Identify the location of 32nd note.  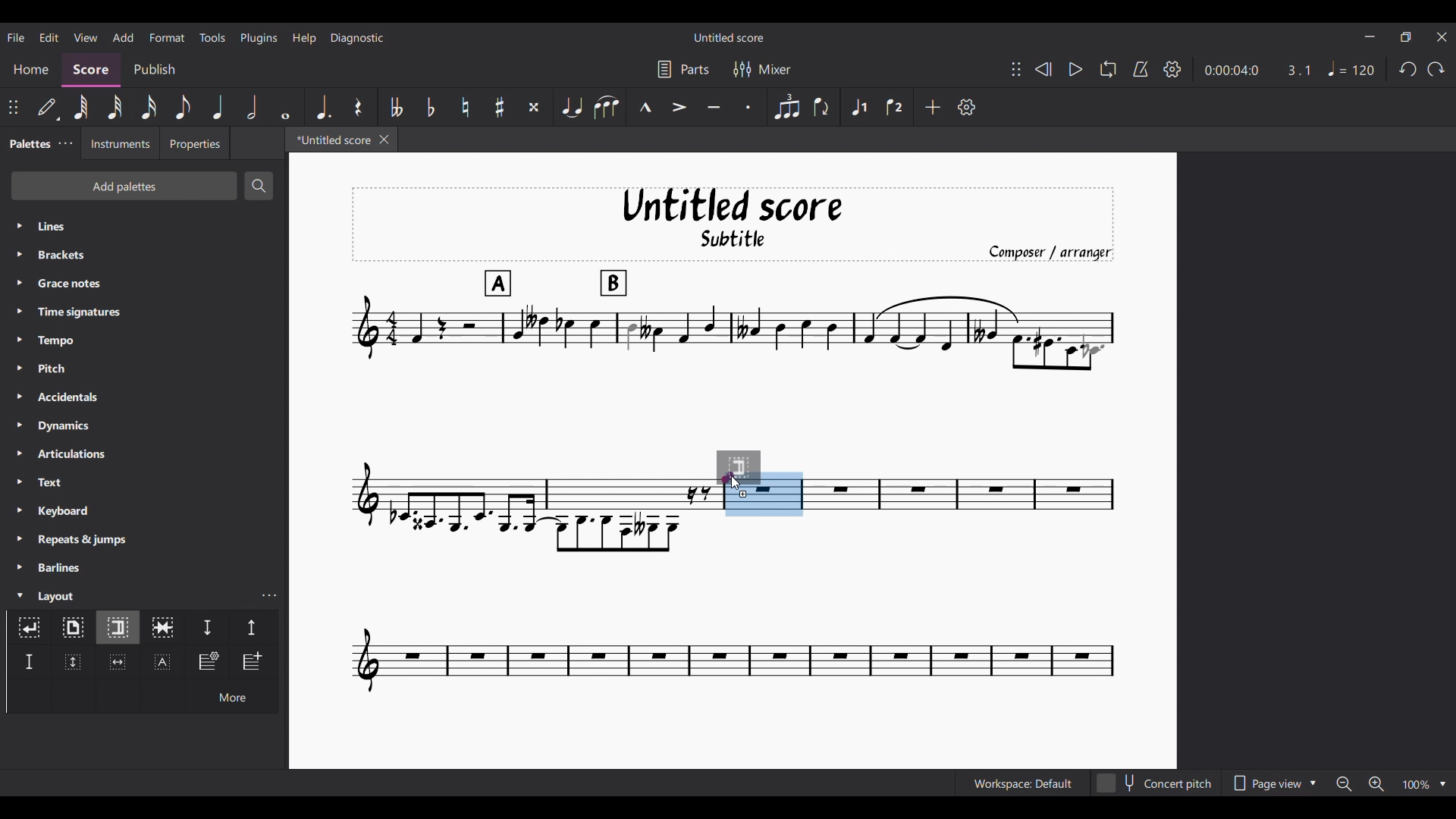
(115, 107).